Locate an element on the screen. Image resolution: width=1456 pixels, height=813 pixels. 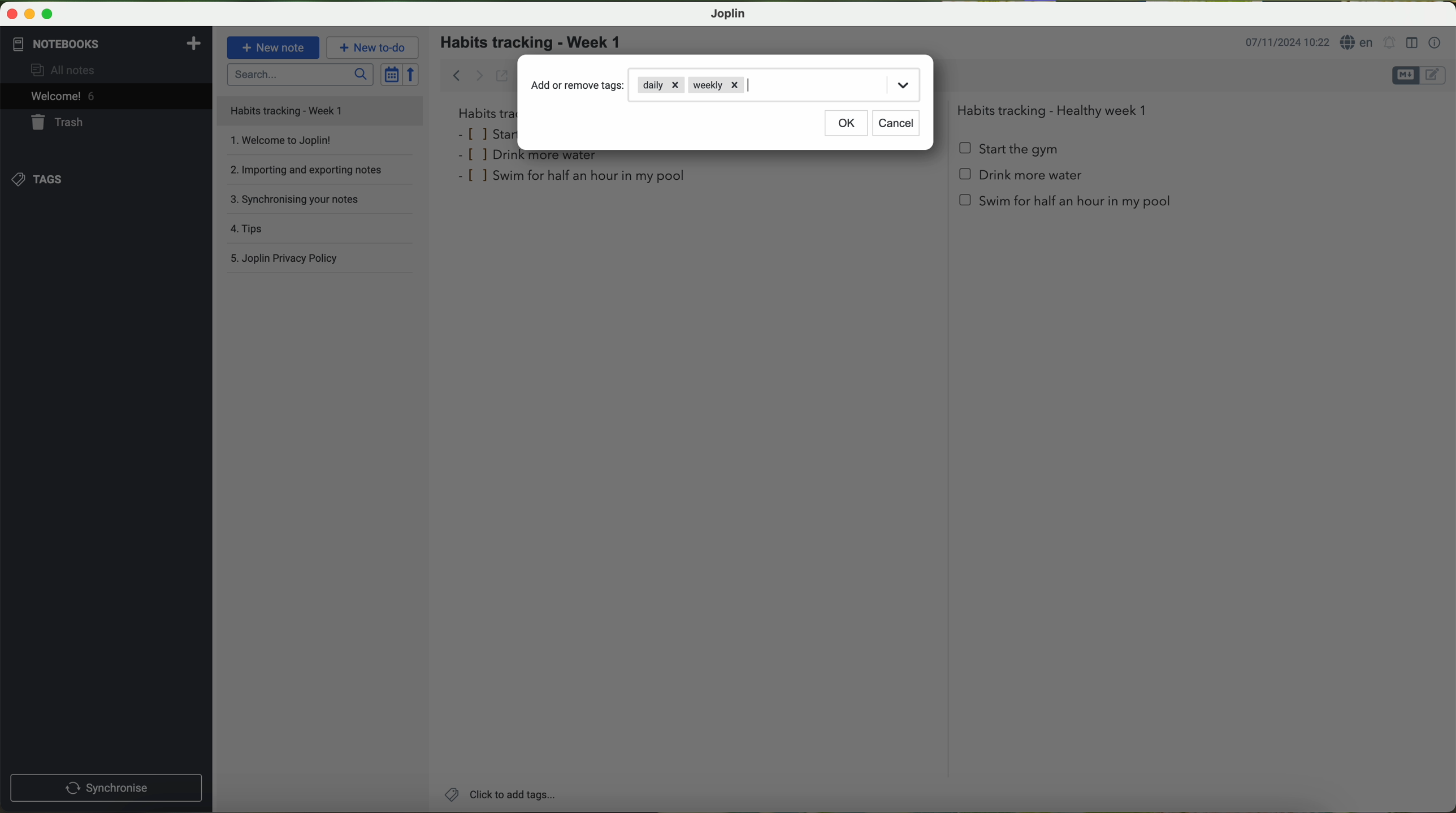
language is located at coordinates (1358, 42).